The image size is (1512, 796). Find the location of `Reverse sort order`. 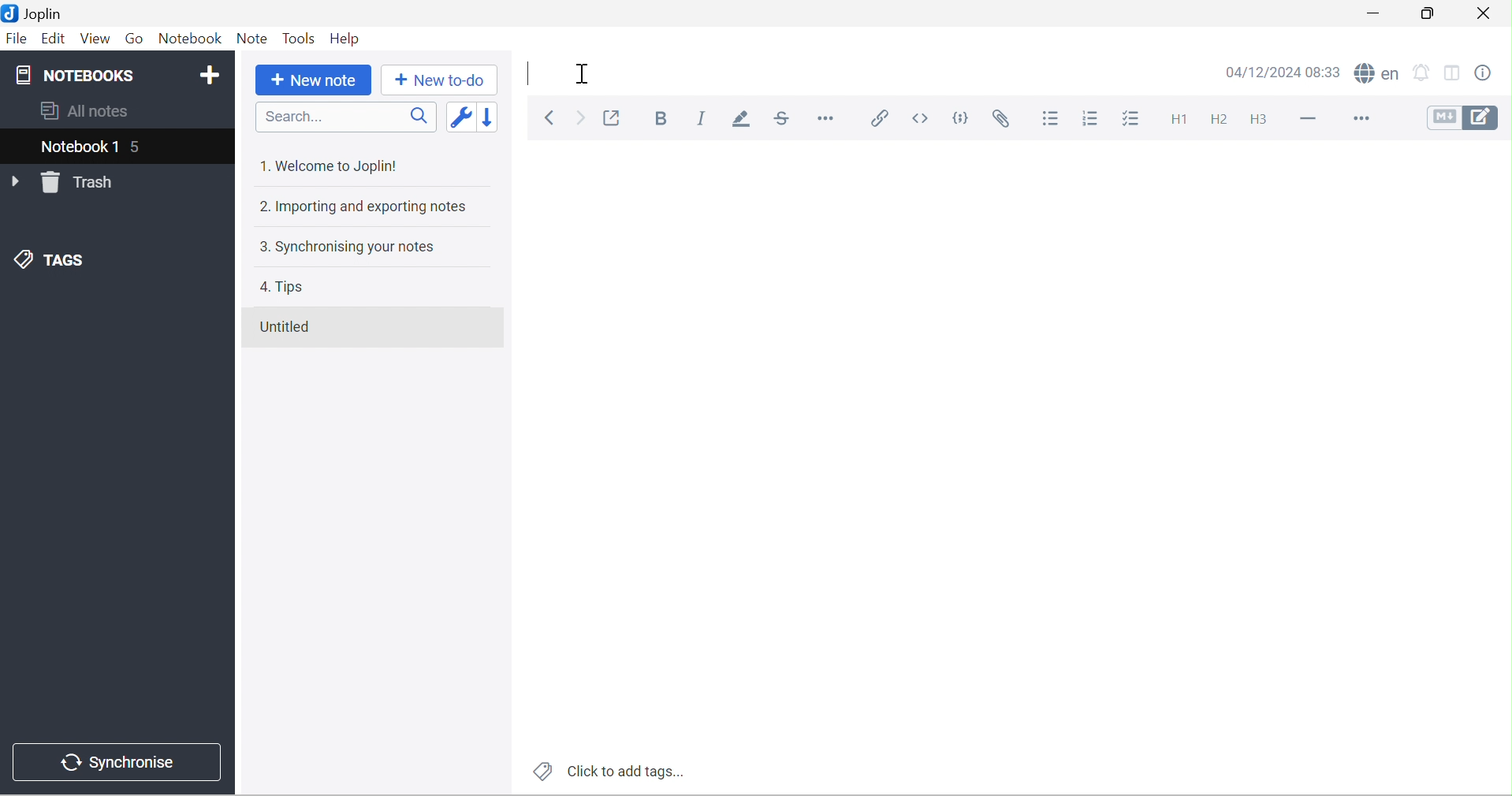

Reverse sort order is located at coordinates (488, 119).